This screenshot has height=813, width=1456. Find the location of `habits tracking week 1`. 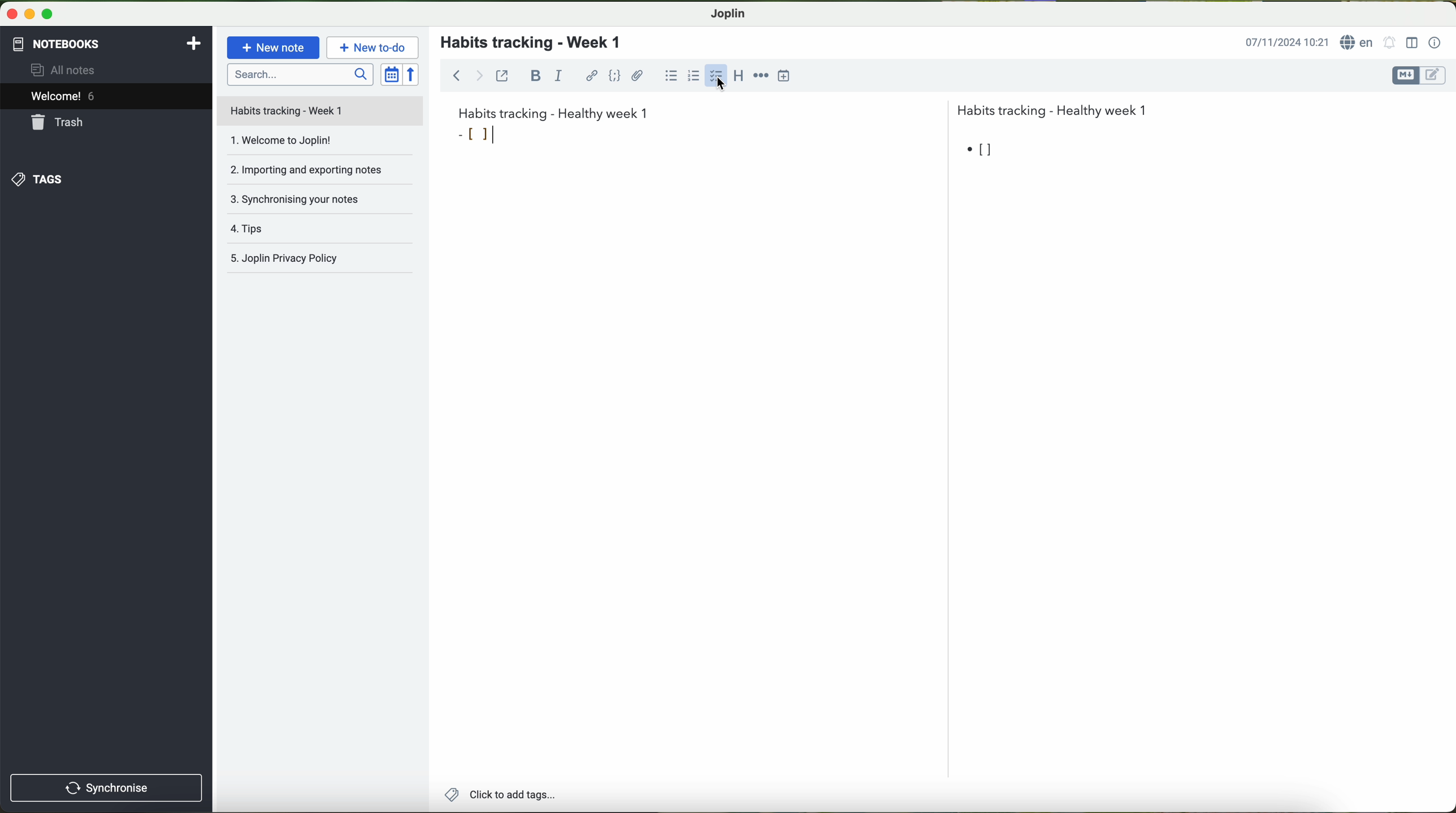

habits tracking week 1 is located at coordinates (553, 112).